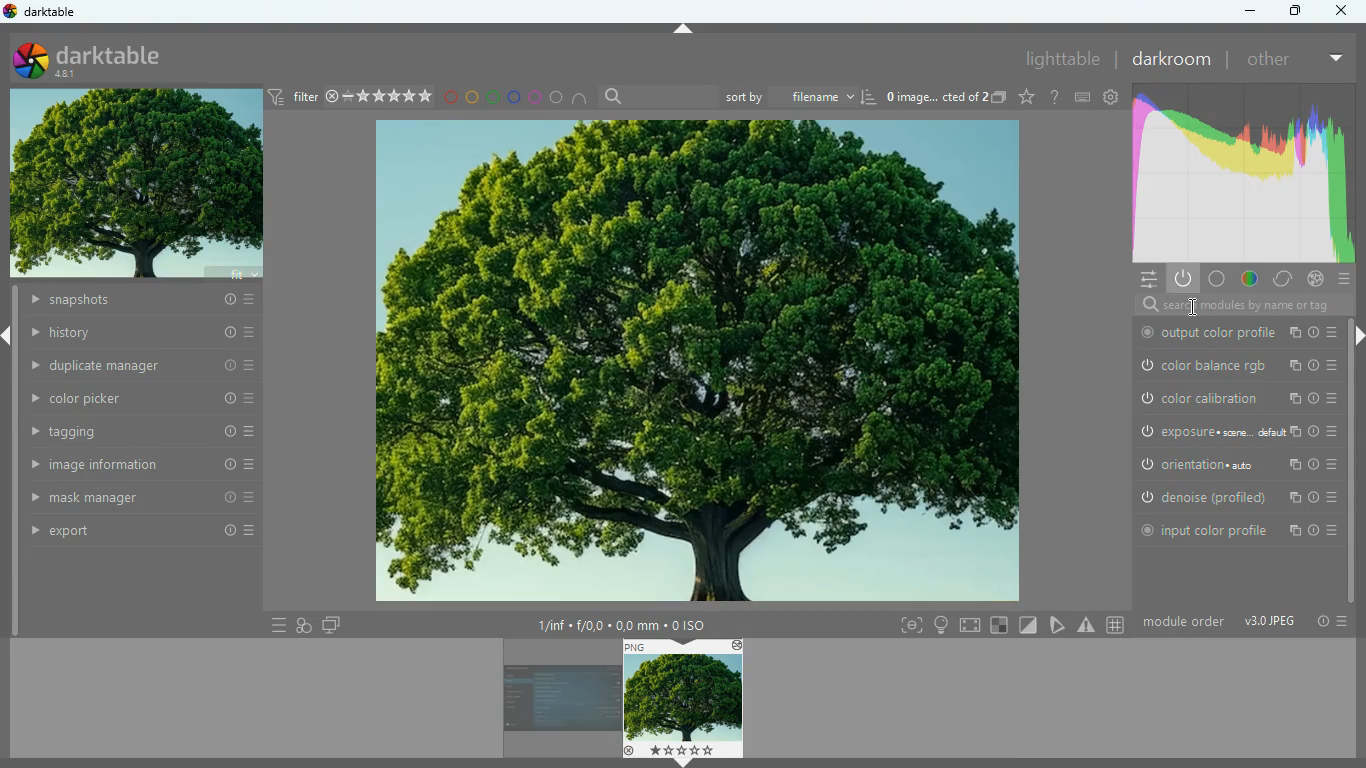  What do you see at coordinates (553, 700) in the screenshot?
I see `image` at bounding box center [553, 700].